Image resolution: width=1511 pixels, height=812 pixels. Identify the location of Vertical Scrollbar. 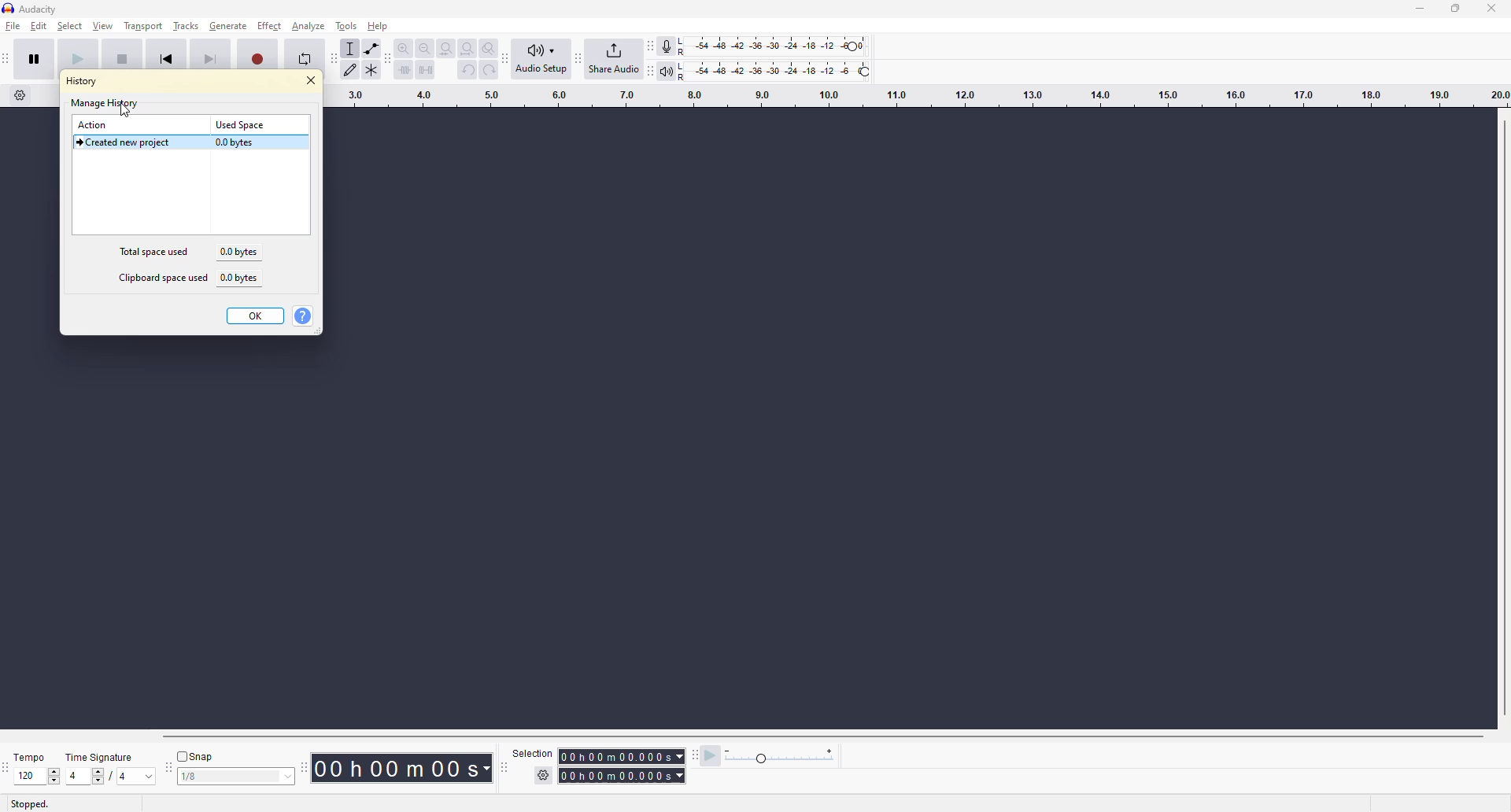
(1502, 414).